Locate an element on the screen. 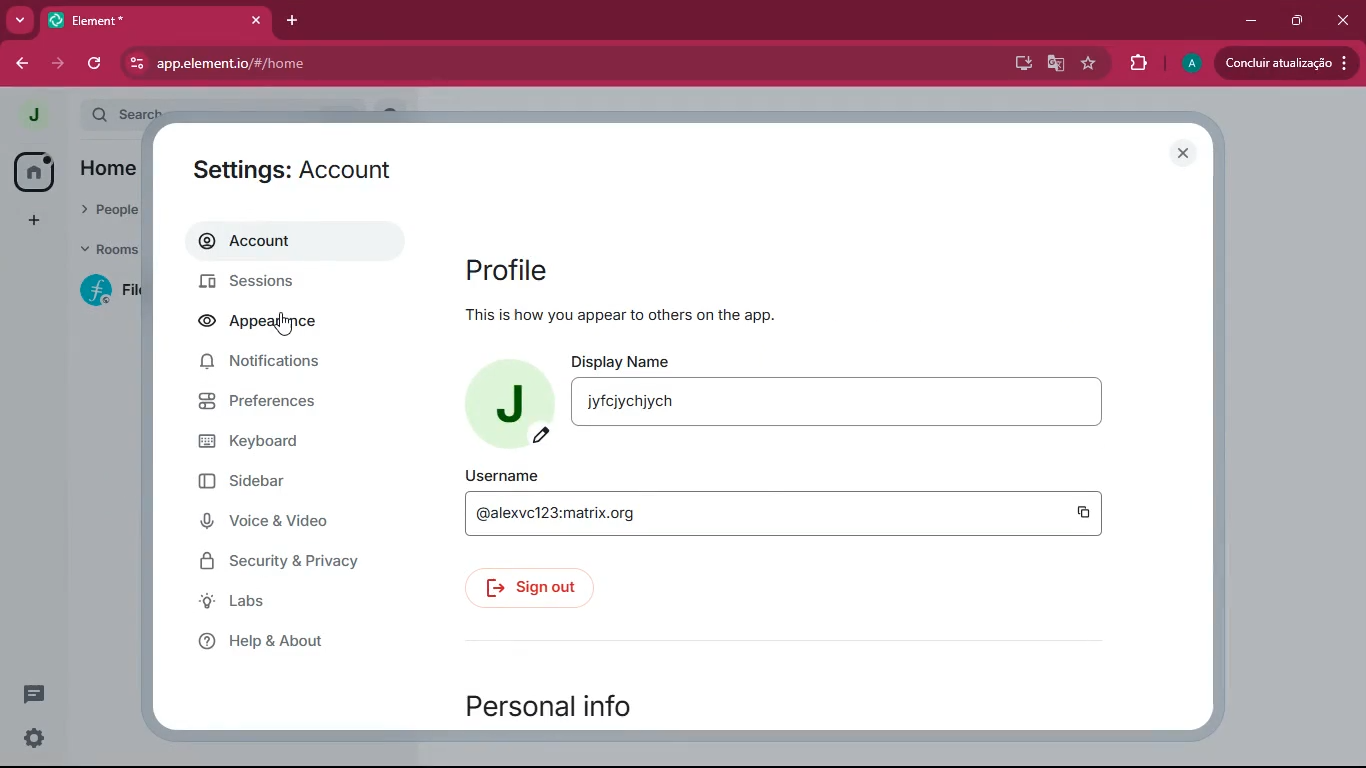 This screenshot has height=768, width=1366. update is located at coordinates (1286, 63).